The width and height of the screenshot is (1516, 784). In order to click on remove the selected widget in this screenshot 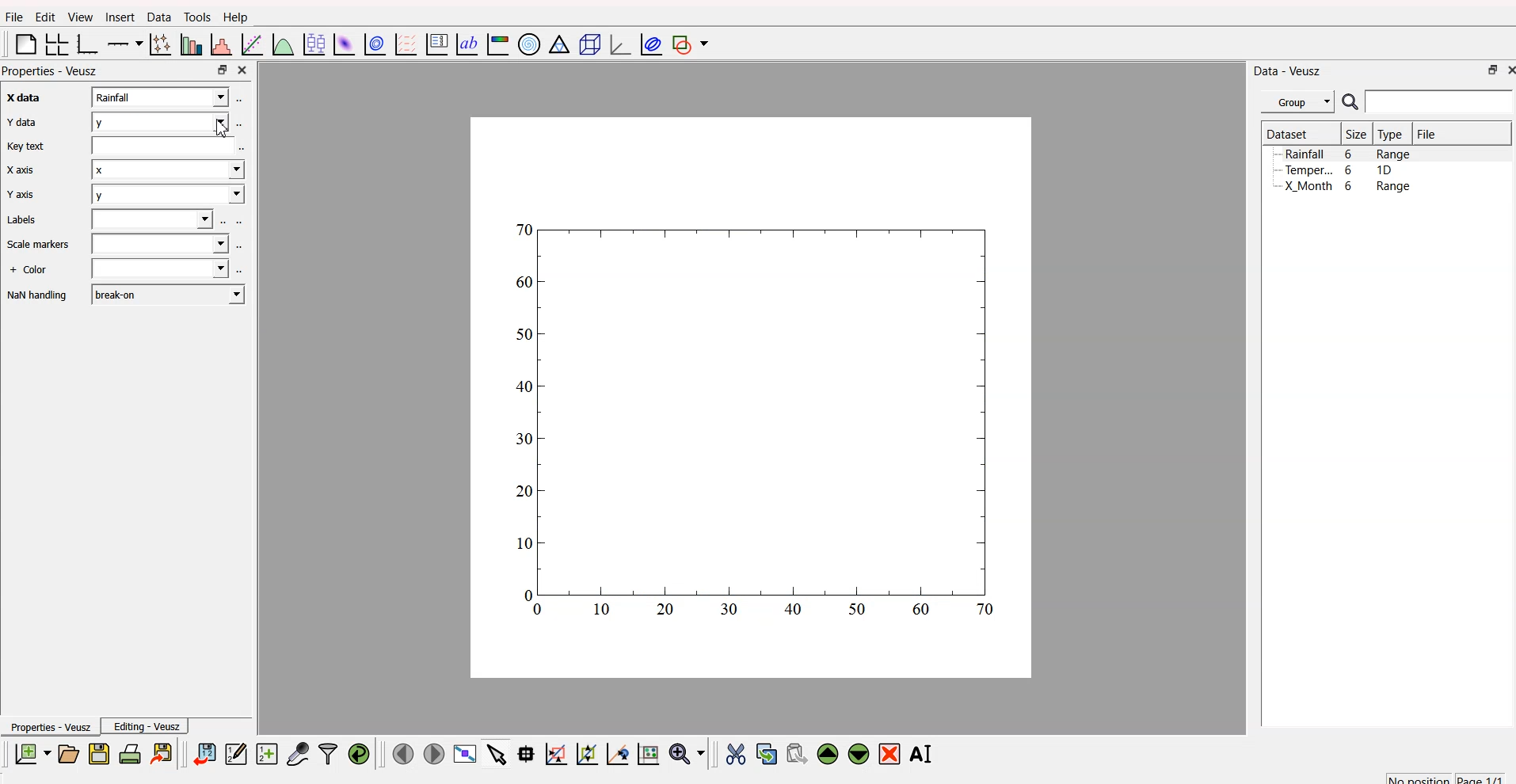, I will do `click(890, 754)`.